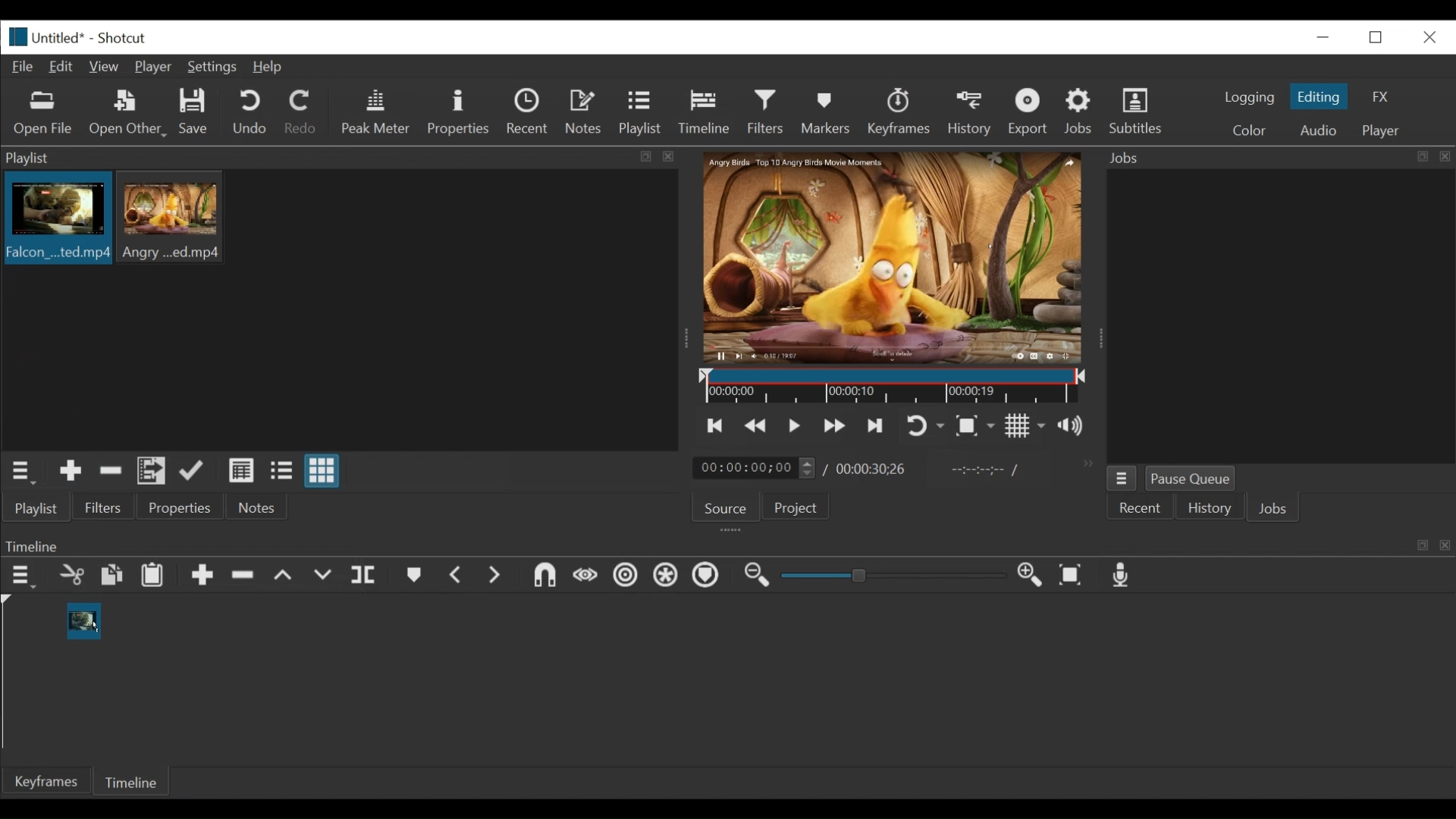 The image size is (1456, 819). Describe the element at coordinates (301, 115) in the screenshot. I see `Redo` at that location.